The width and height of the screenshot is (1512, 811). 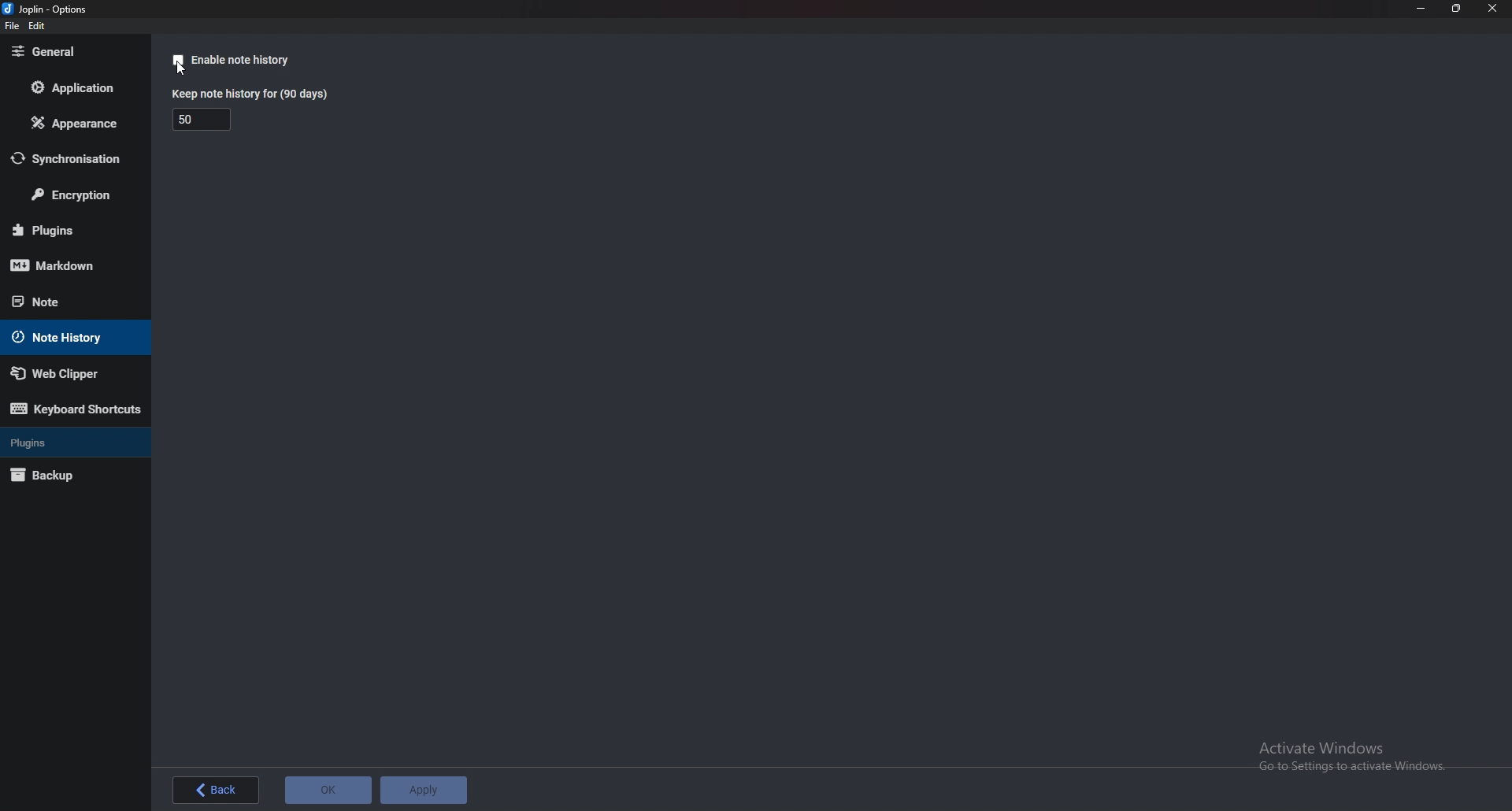 What do you see at coordinates (72, 197) in the screenshot?
I see `Encryption` at bounding box center [72, 197].